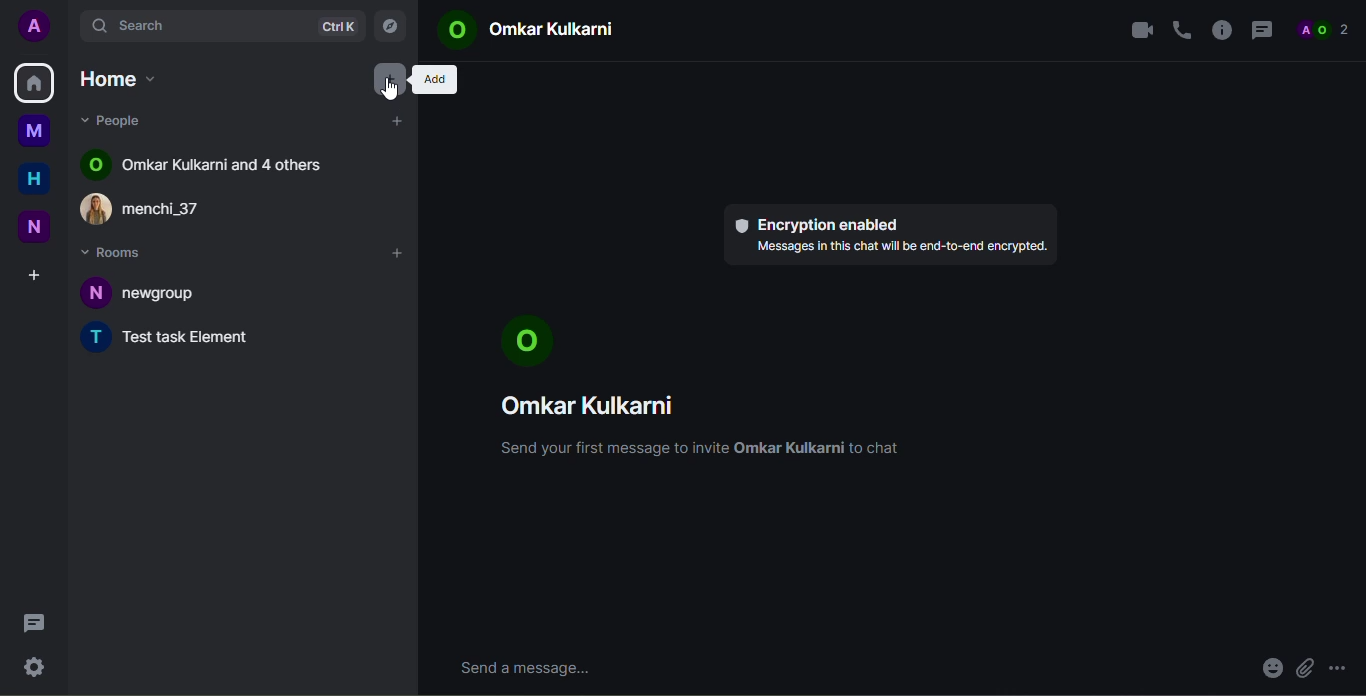 Image resolution: width=1366 pixels, height=696 pixels. Describe the element at coordinates (400, 254) in the screenshot. I see `add` at that location.